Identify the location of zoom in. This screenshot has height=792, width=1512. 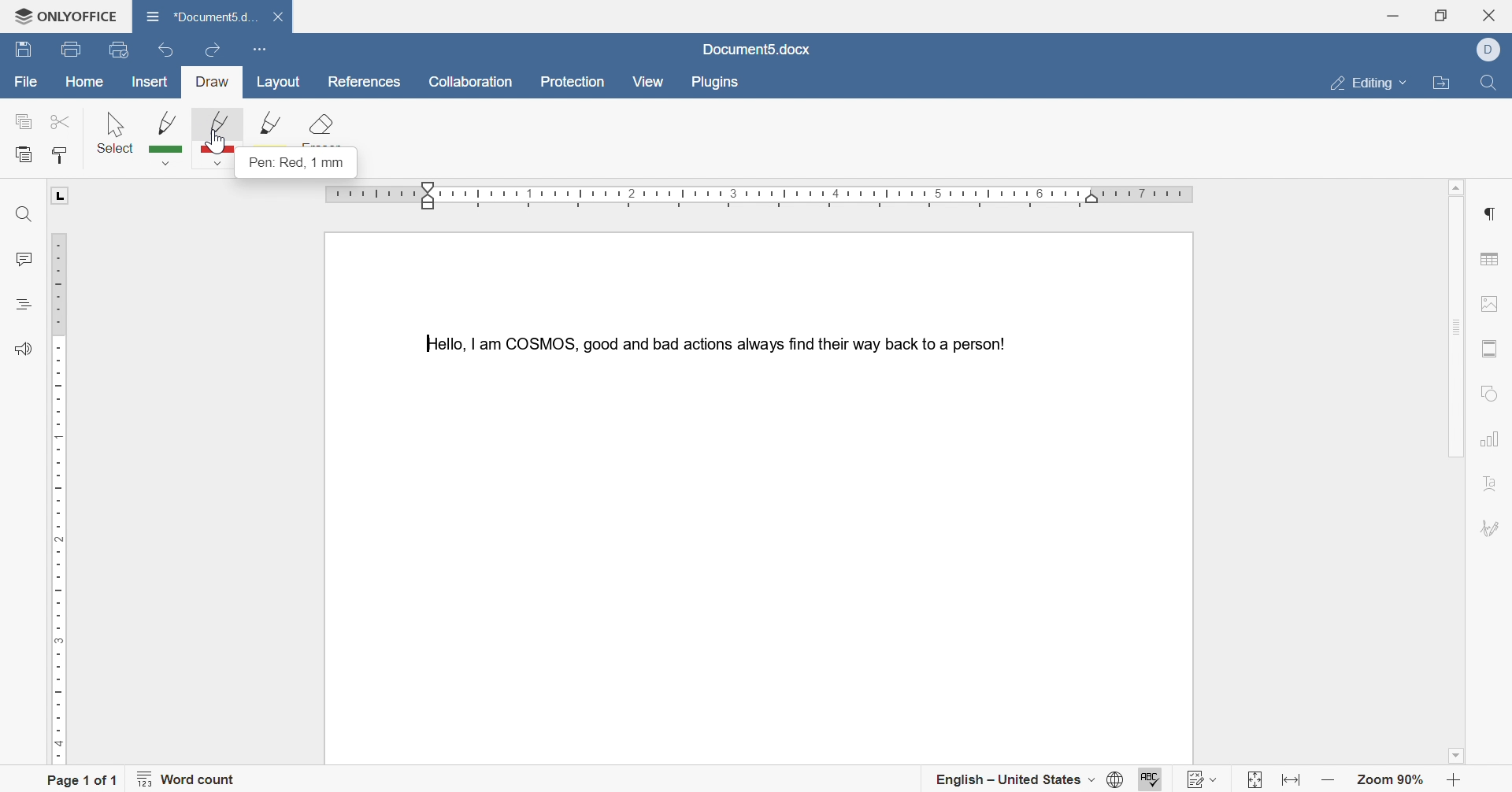
(1453, 781).